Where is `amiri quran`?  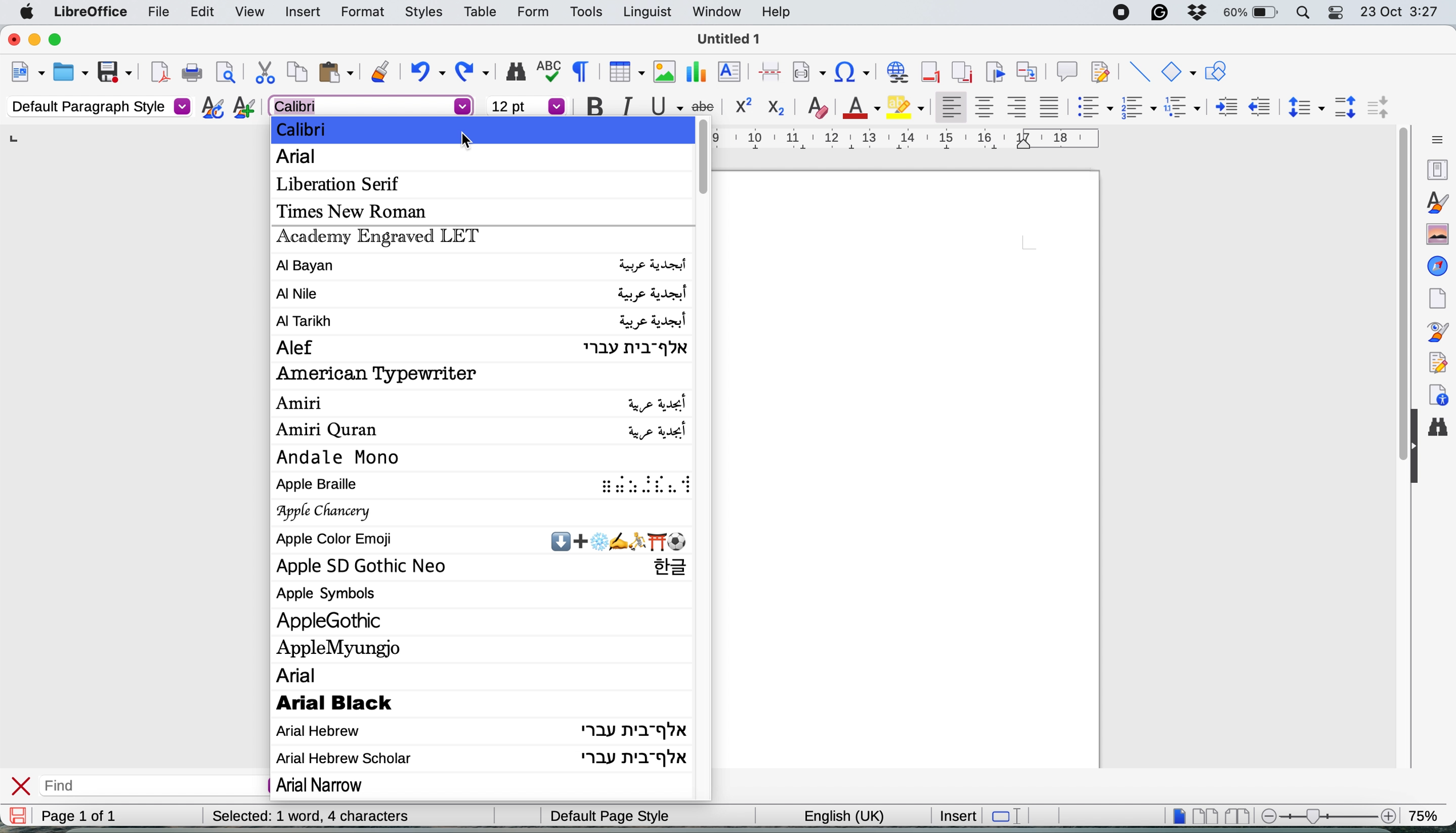
amiri quran is located at coordinates (483, 432).